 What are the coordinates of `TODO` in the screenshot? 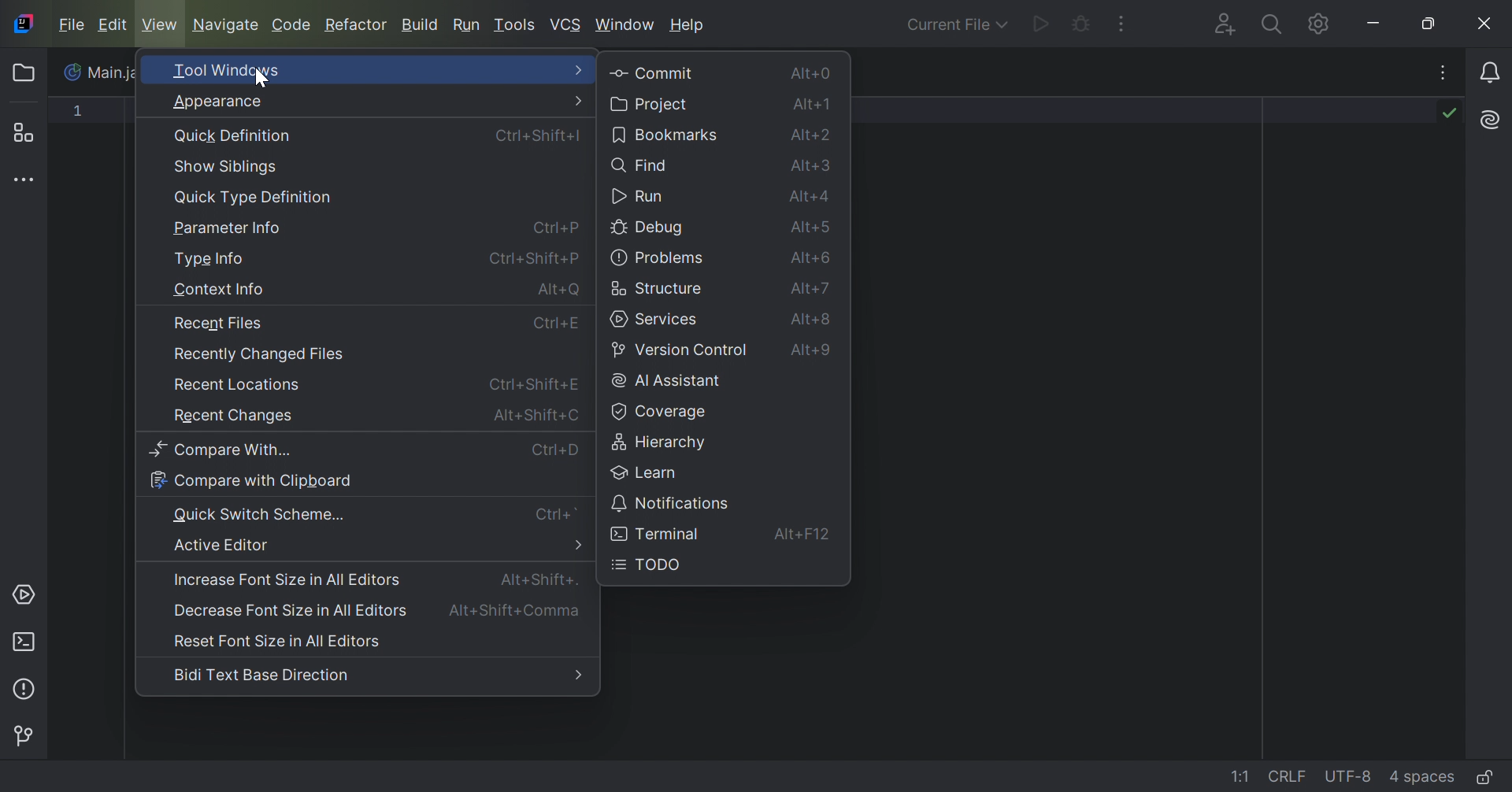 It's located at (647, 565).